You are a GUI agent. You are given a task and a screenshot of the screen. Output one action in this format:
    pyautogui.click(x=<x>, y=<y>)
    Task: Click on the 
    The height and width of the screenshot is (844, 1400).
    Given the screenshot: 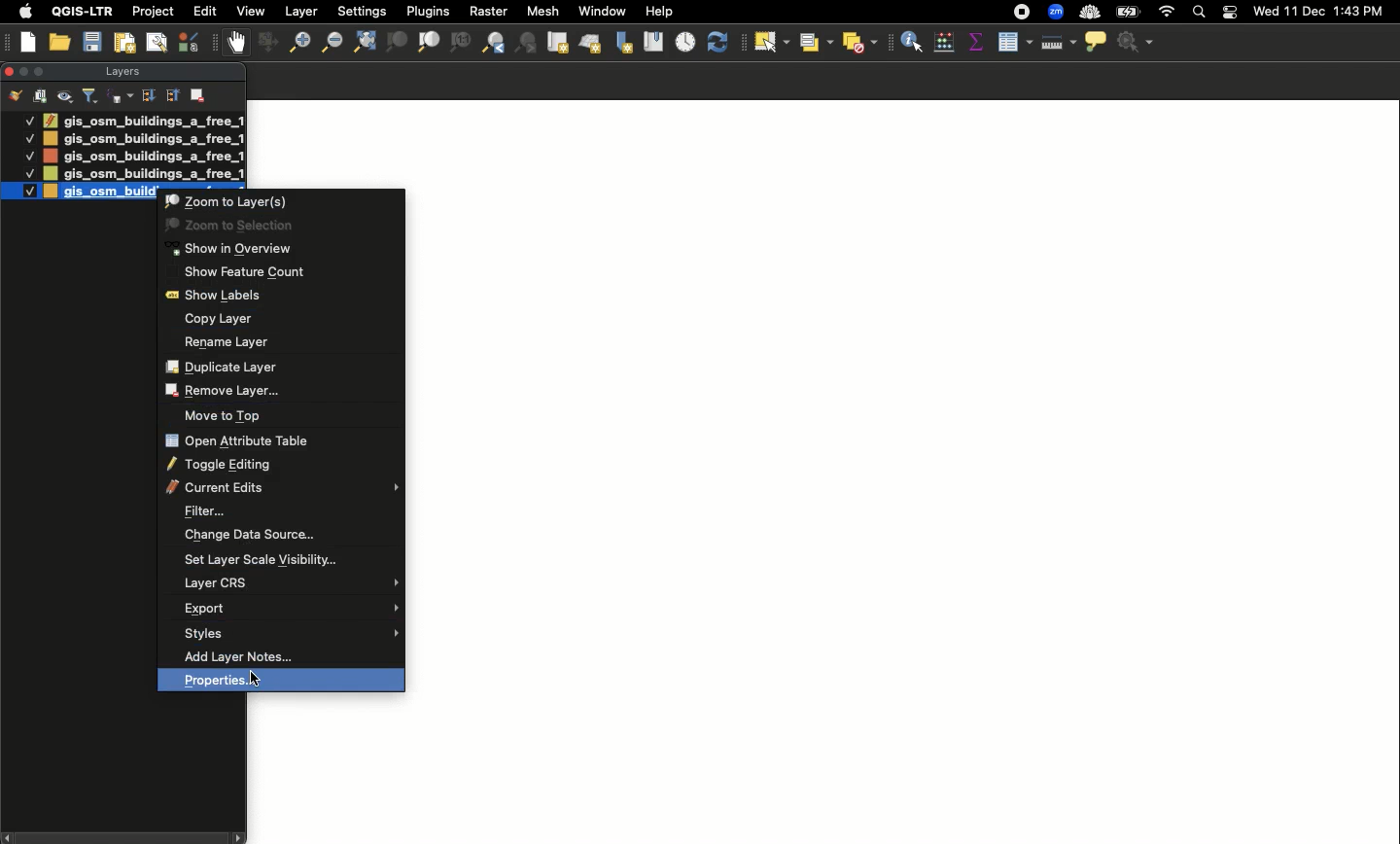 What is the action you would take?
    pyautogui.click(x=745, y=42)
    